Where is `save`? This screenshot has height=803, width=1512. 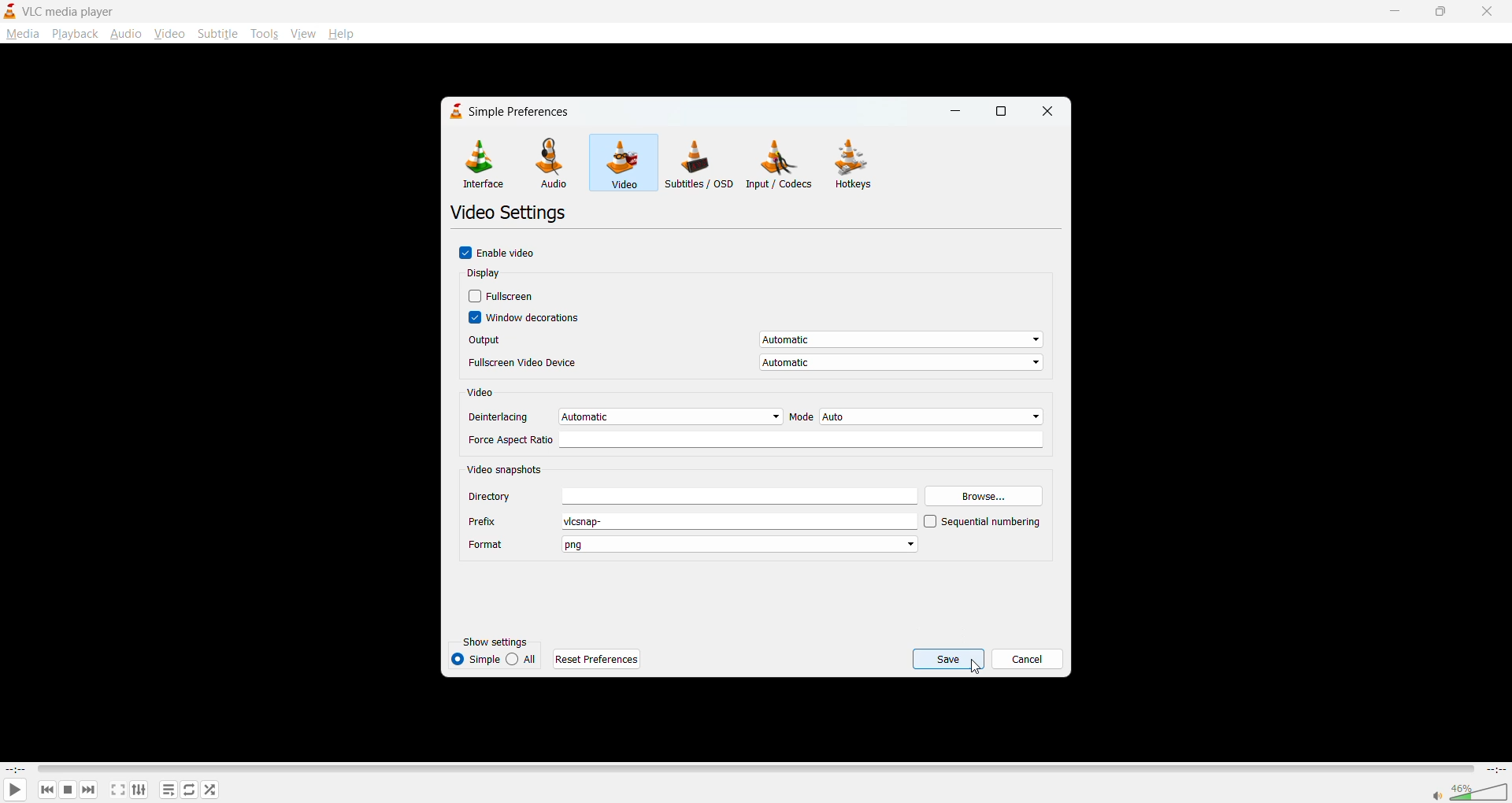 save is located at coordinates (948, 658).